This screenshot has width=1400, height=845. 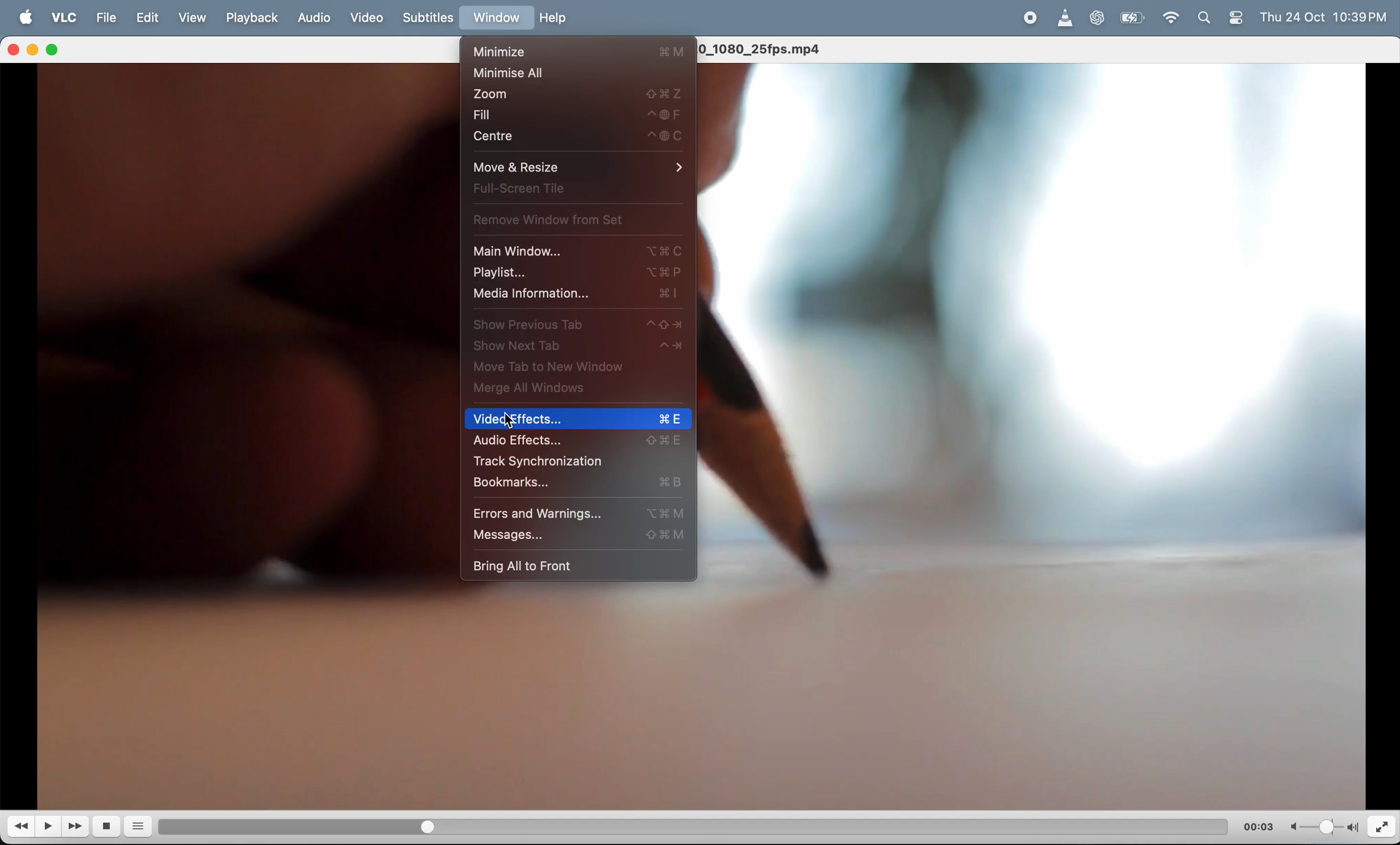 I want to click on media information, so click(x=576, y=294).